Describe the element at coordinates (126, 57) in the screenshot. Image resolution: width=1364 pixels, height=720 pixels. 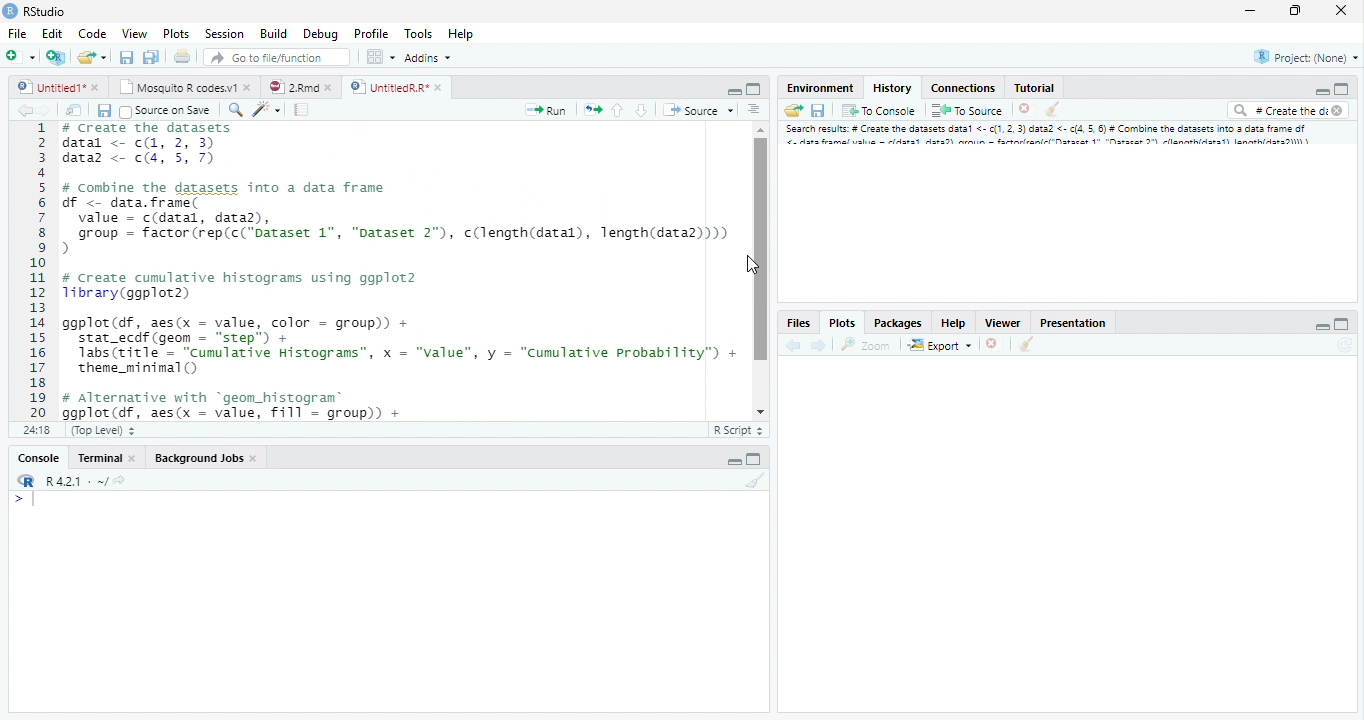
I see `Save` at that location.